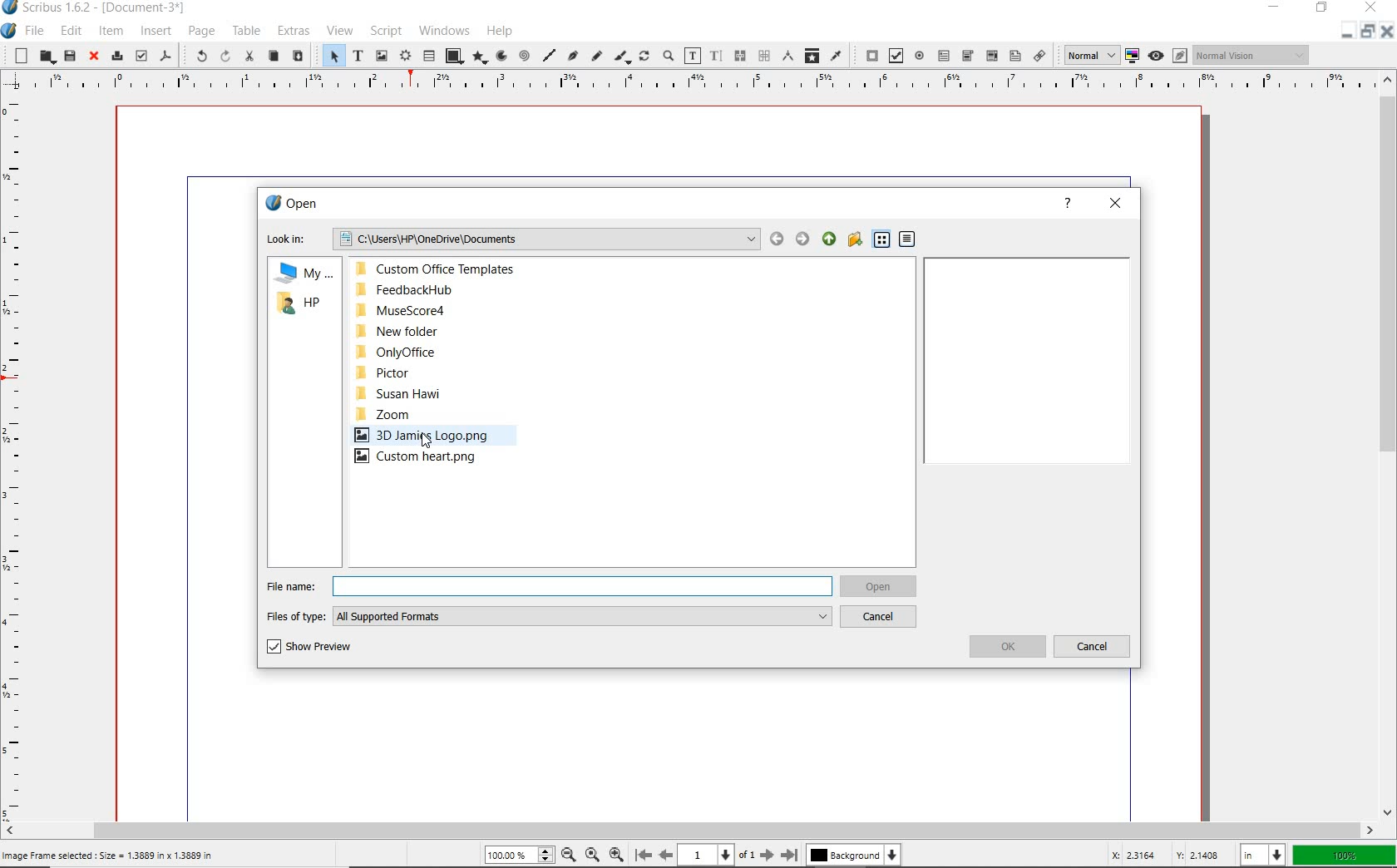 This screenshot has height=868, width=1397. What do you see at coordinates (790, 856) in the screenshot?
I see `last` at bounding box center [790, 856].